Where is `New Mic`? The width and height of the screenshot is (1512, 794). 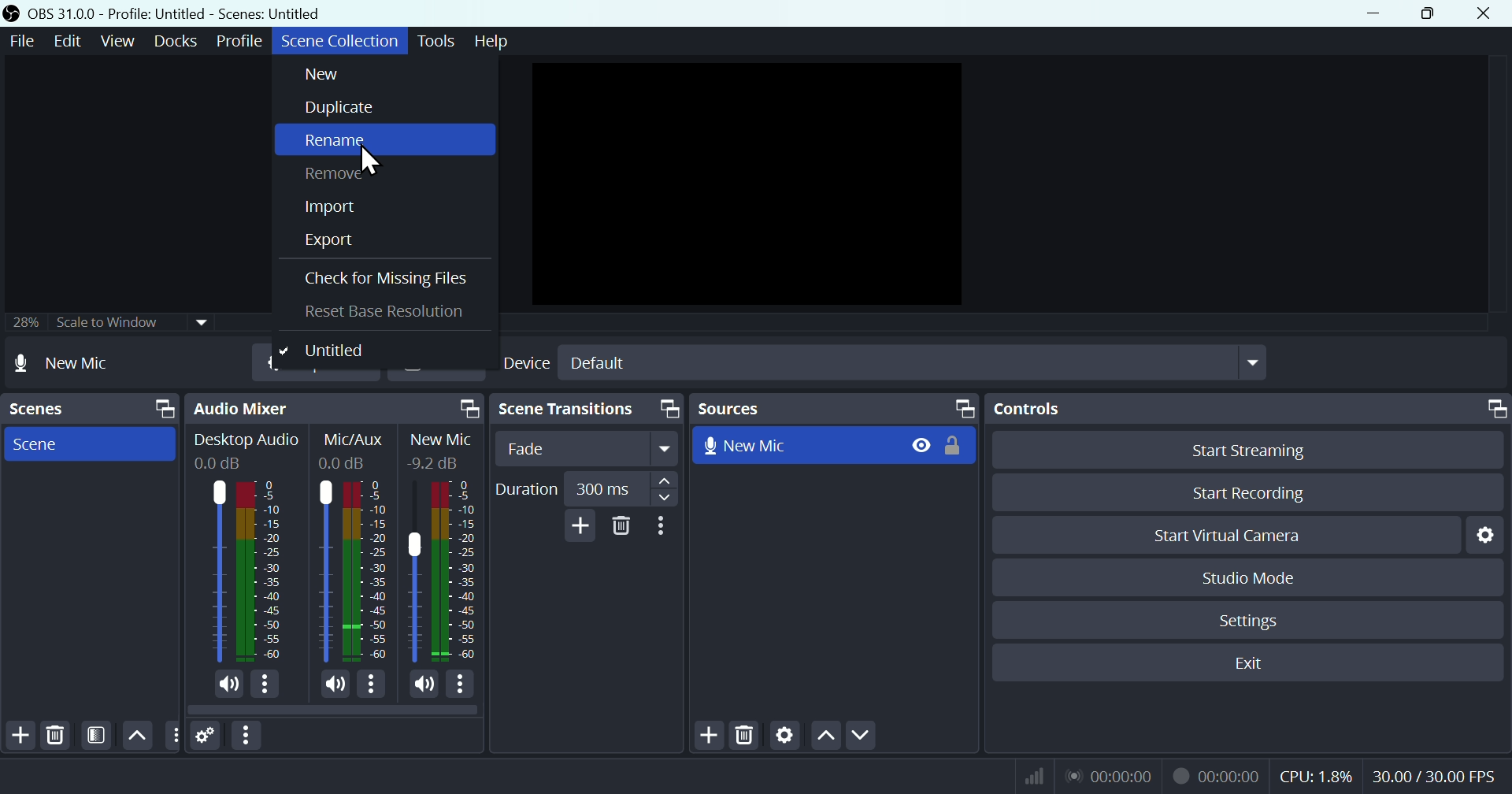 New Mic is located at coordinates (443, 440).